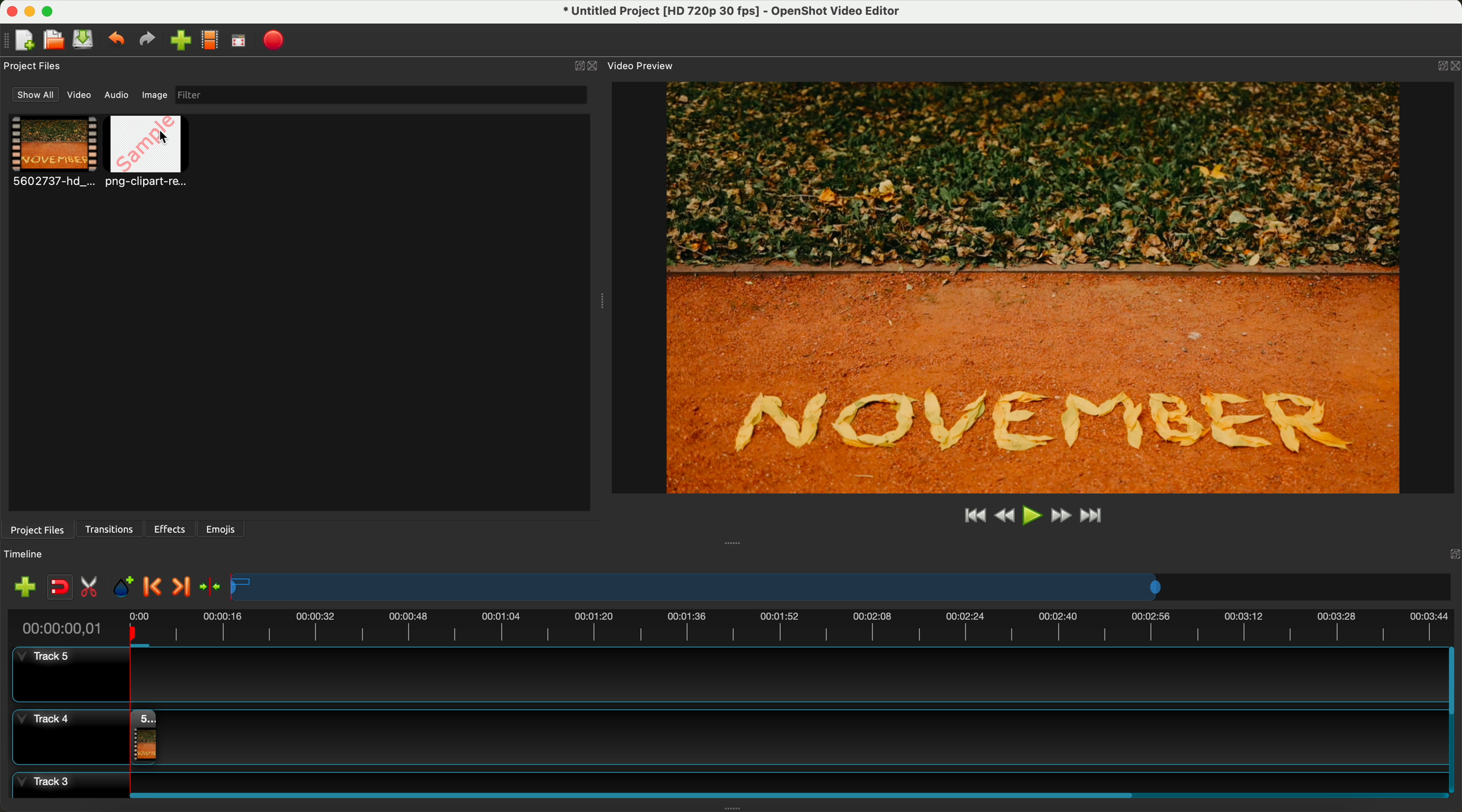  I want to click on track 4, so click(726, 734).